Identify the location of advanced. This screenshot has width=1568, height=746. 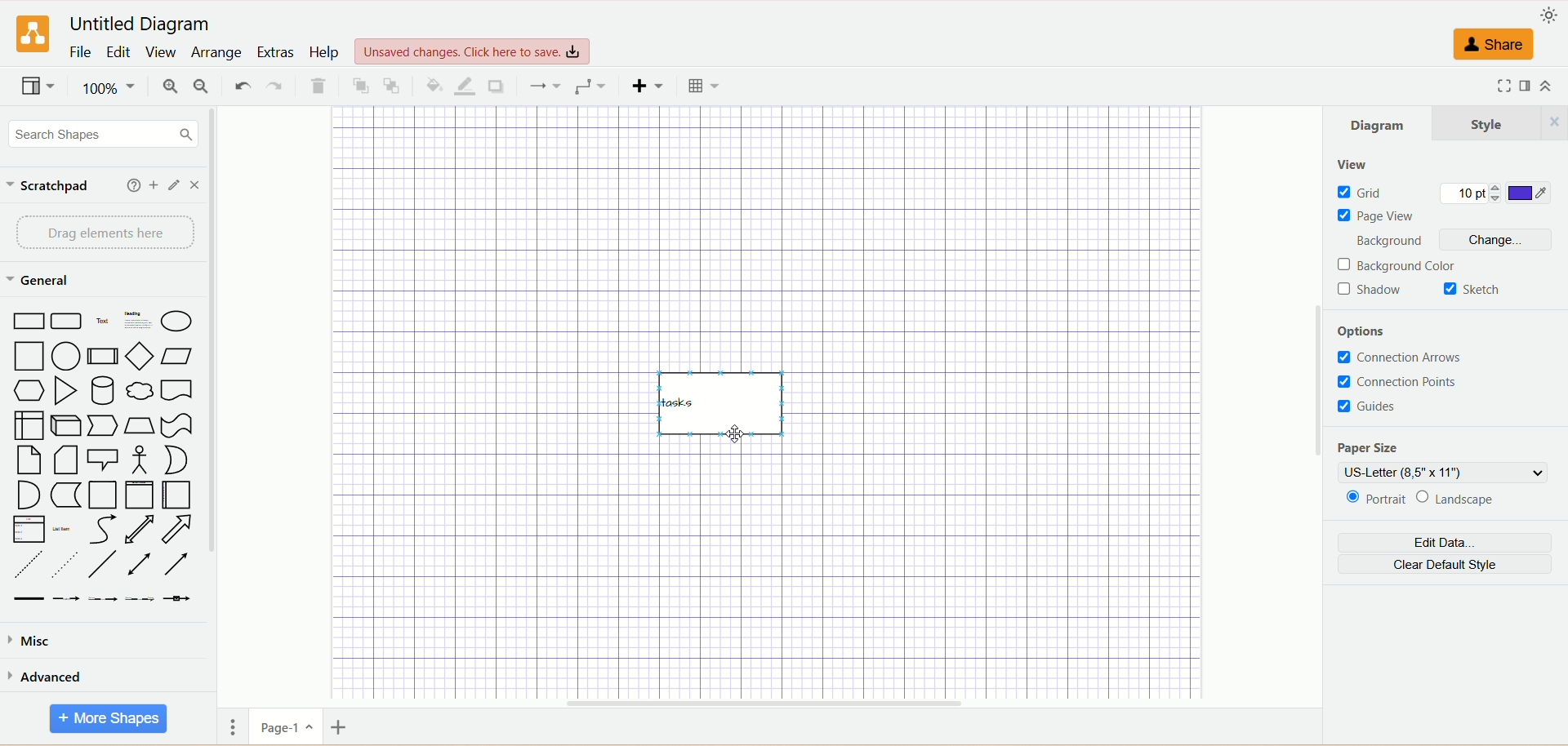
(47, 680).